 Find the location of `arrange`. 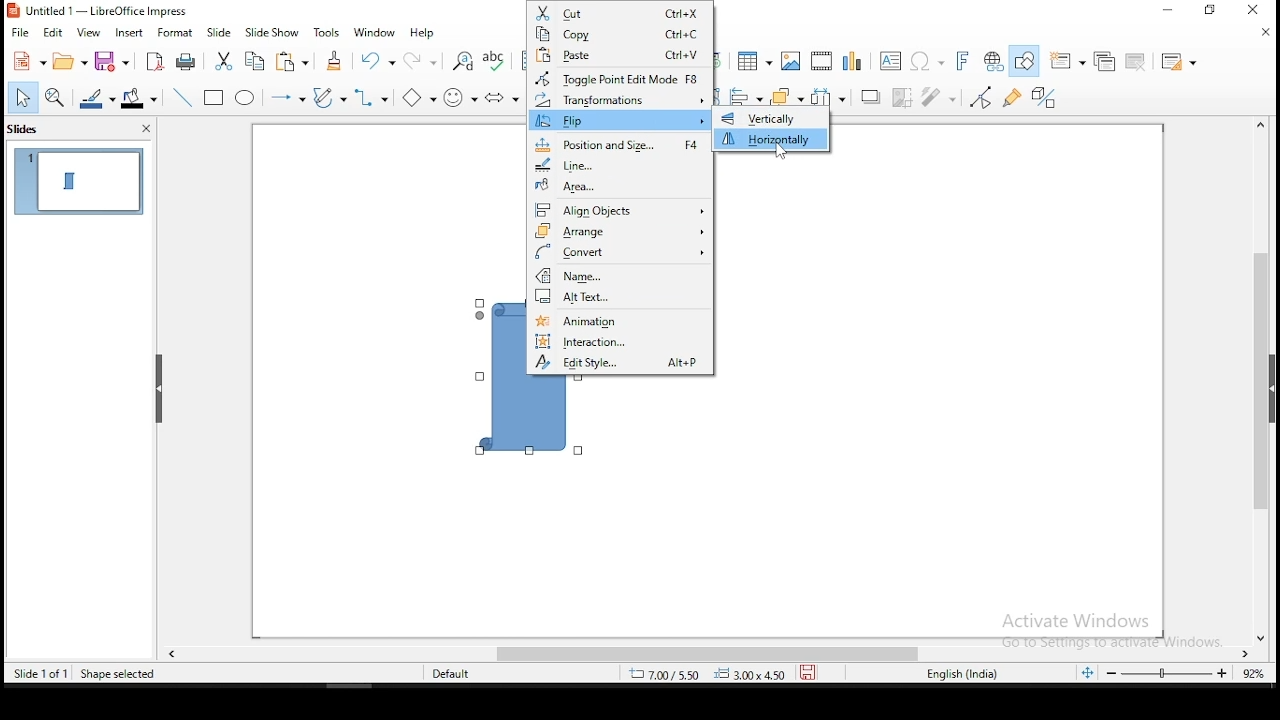

arrange is located at coordinates (616, 232).